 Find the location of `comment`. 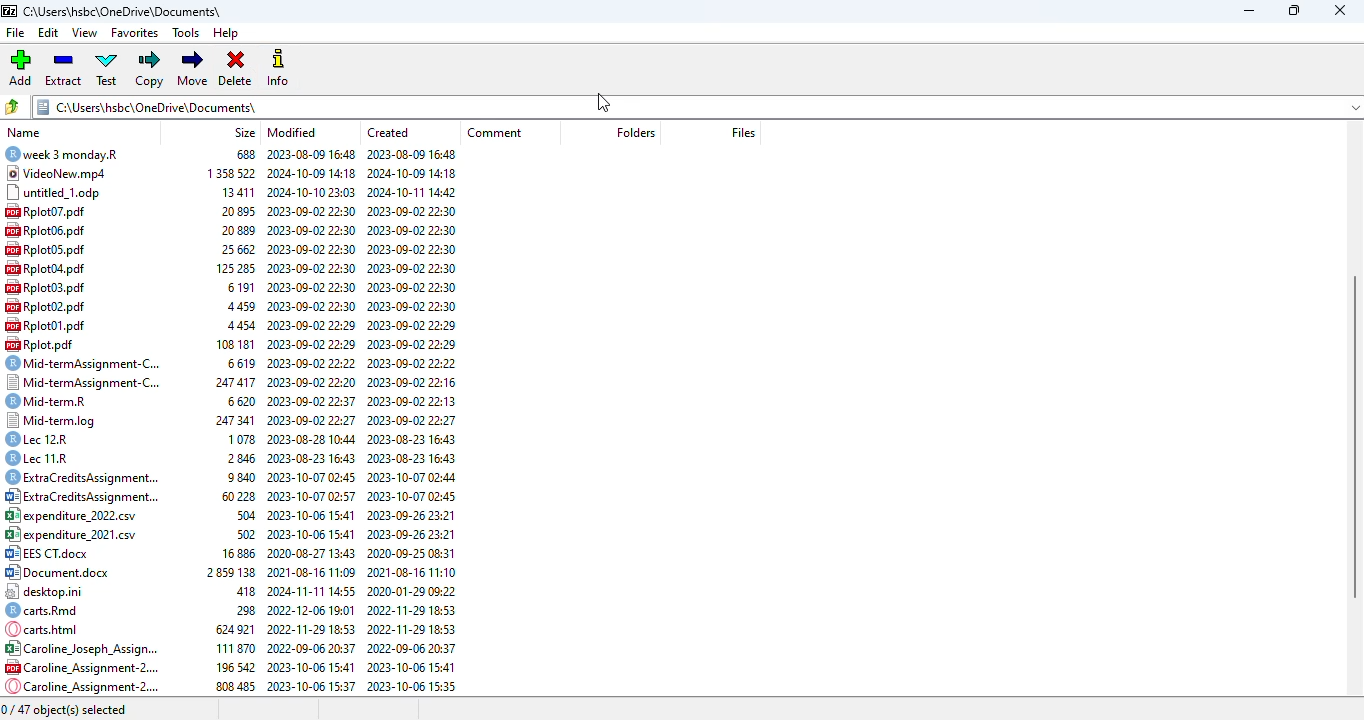

comment is located at coordinates (497, 133).